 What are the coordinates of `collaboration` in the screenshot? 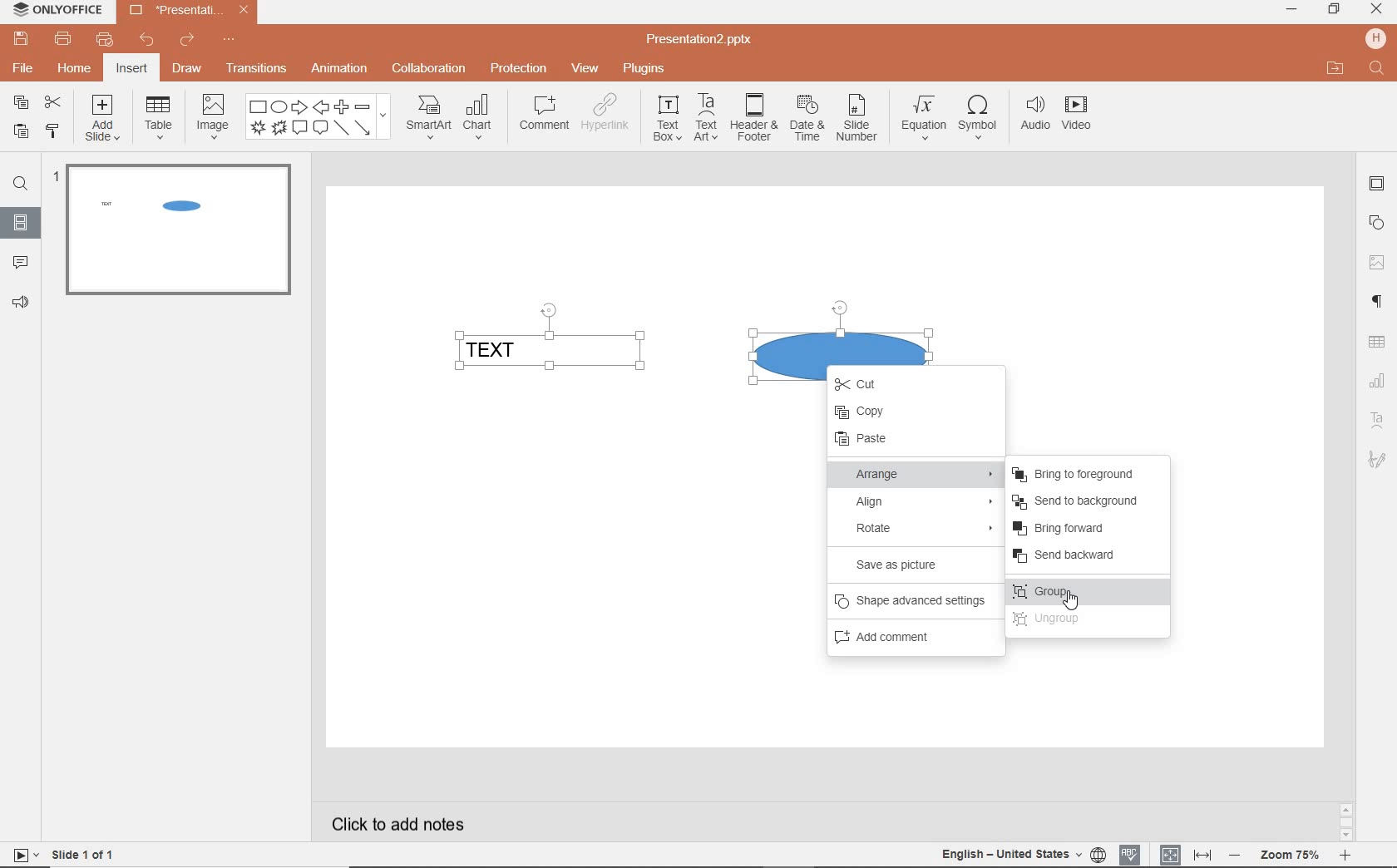 It's located at (427, 70).